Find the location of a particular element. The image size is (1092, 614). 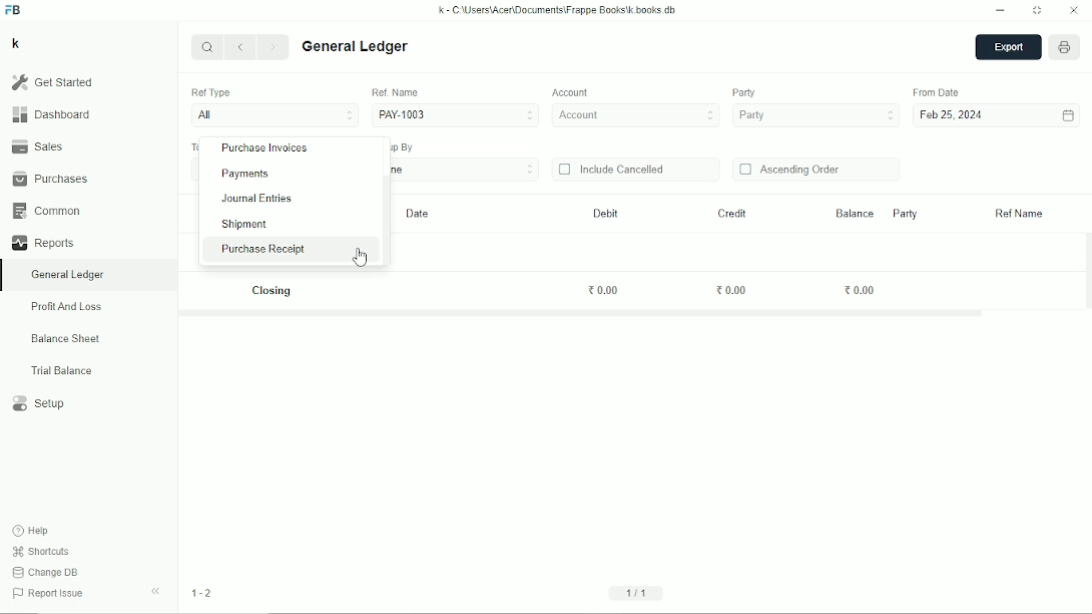

Account is located at coordinates (572, 93).